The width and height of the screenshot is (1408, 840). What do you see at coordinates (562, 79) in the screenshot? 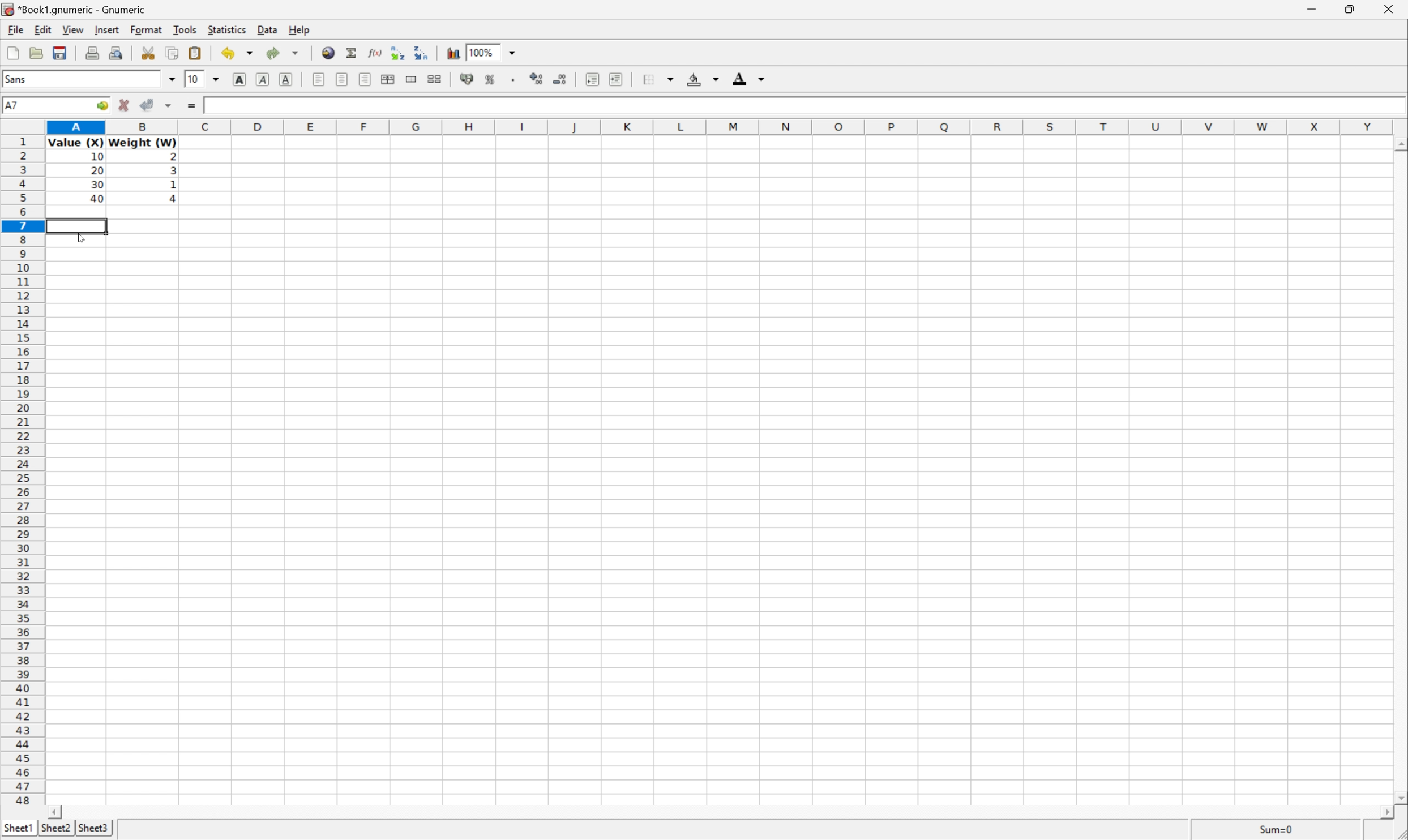
I see `Decrease the number of decimals displayed` at bounding box center [562, 79].